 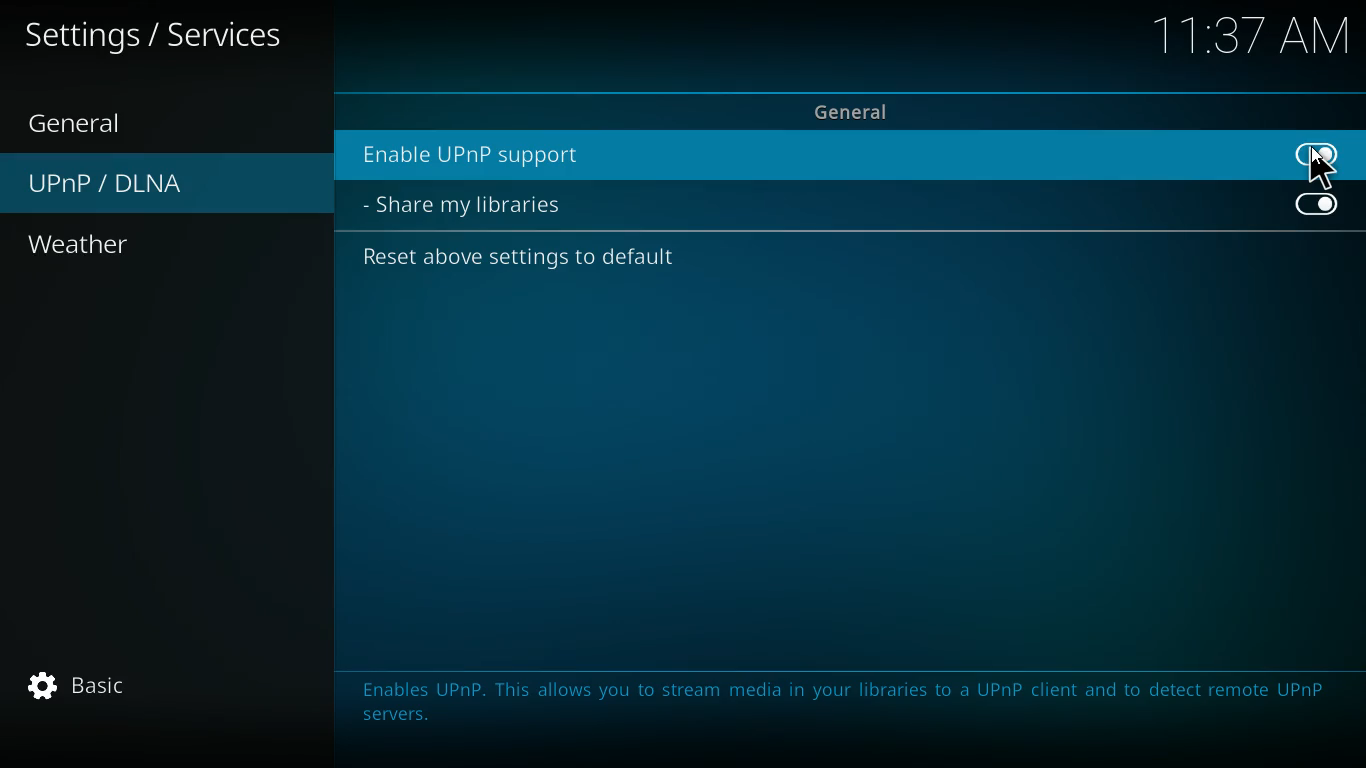 What do you see at coordinates (164, 185) in the screenshot?
I see `upnp / dlna` at bounding box center [164, 185].